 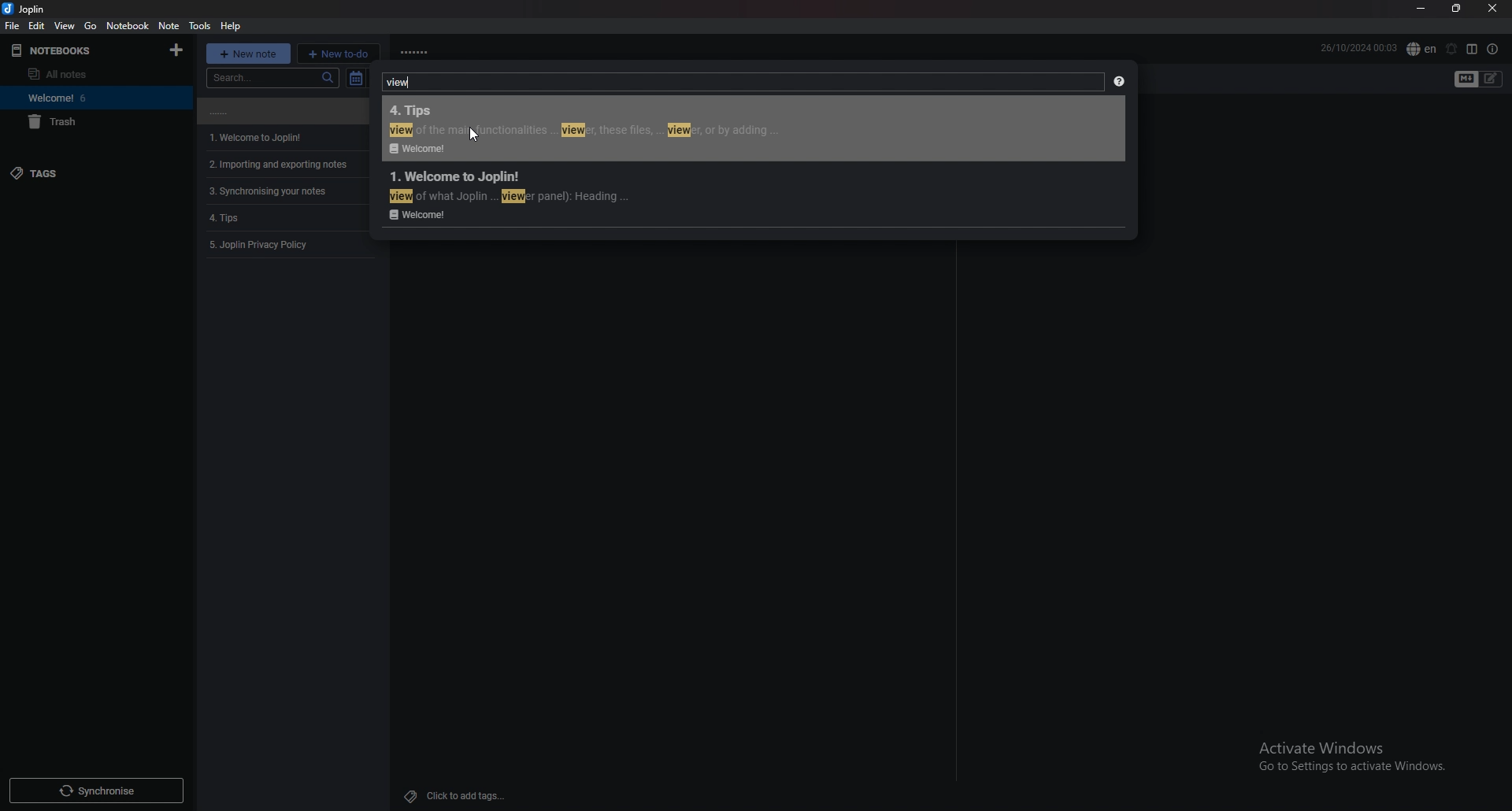 I want to click on , so click(x=454, y=796).